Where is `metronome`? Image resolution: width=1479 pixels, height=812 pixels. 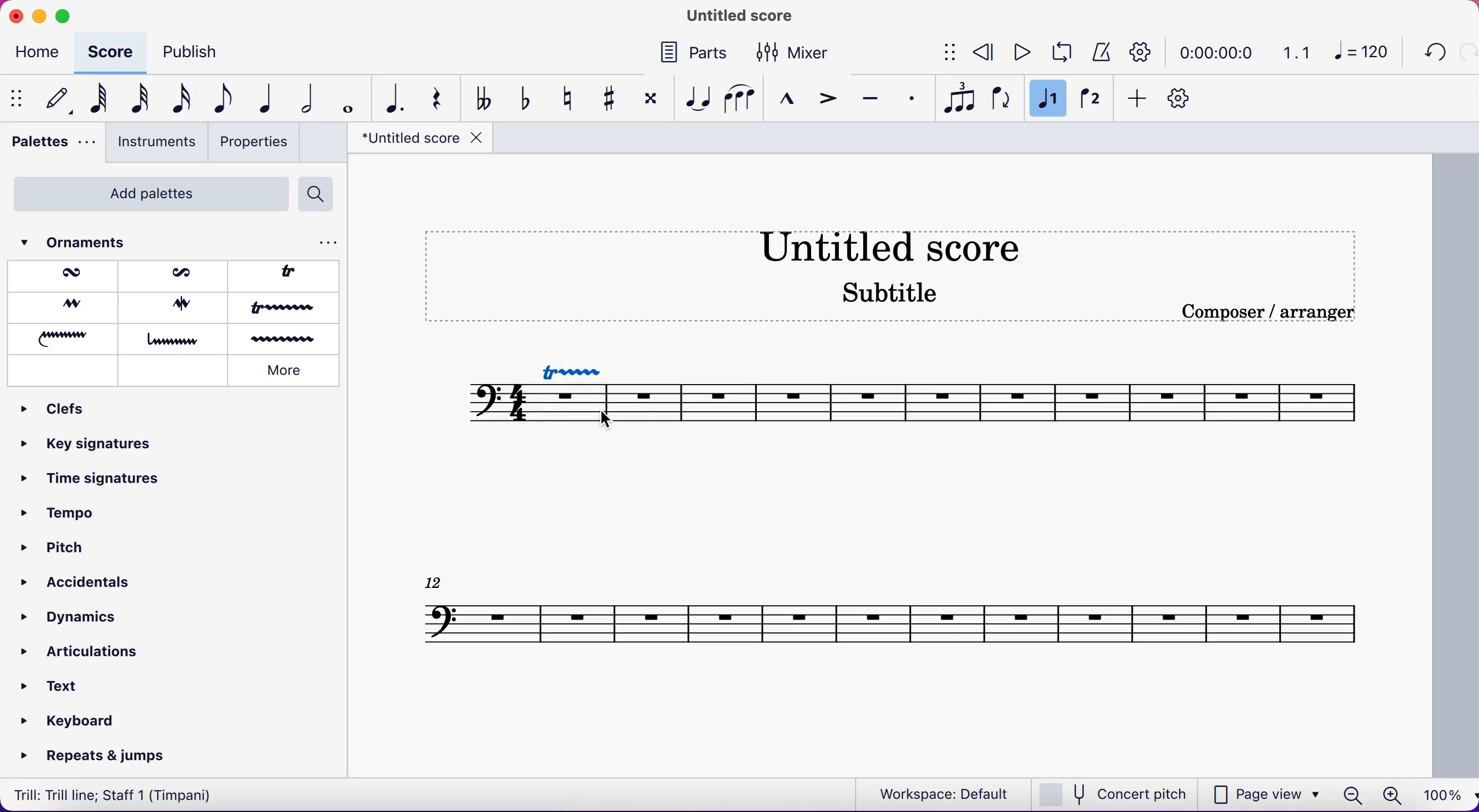
metronome is located at coordinates (1100, 53).